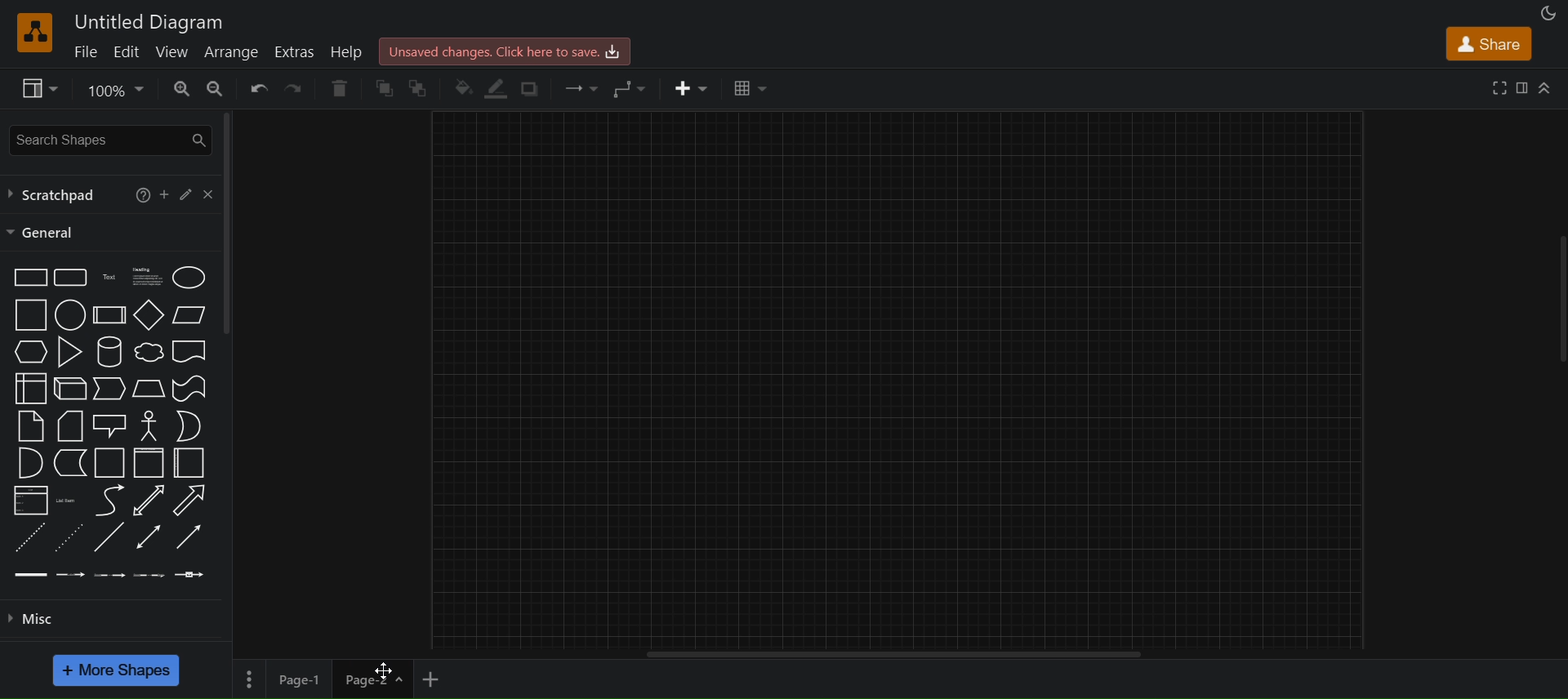 The height and width of the screenshot is (699, 1568). Describe the element at coordinates (189, 277) in the screenshot. I see `ellipse` at that location.